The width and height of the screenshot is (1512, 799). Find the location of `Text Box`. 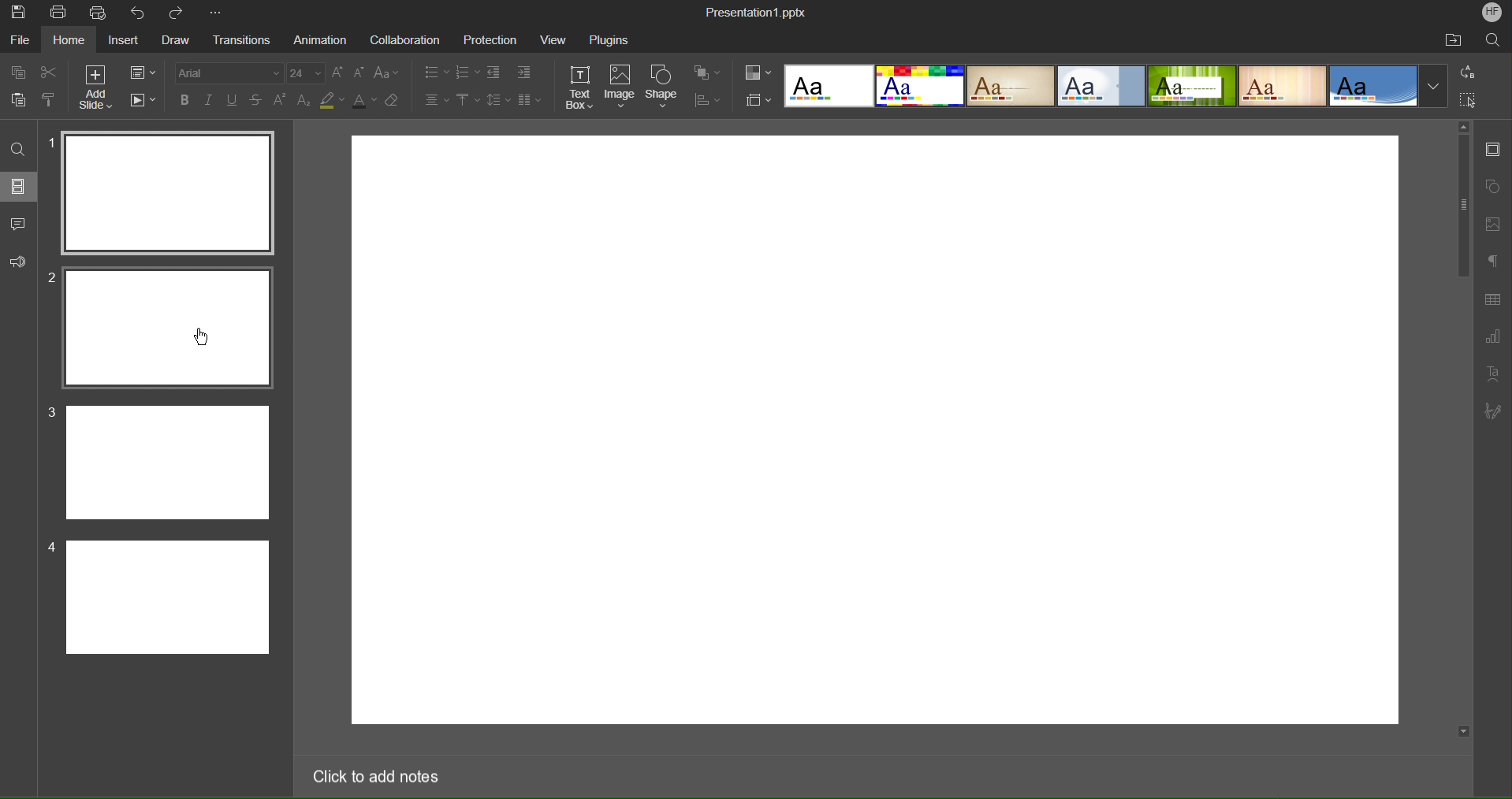

Text Box is located at coordinates (581, 88).